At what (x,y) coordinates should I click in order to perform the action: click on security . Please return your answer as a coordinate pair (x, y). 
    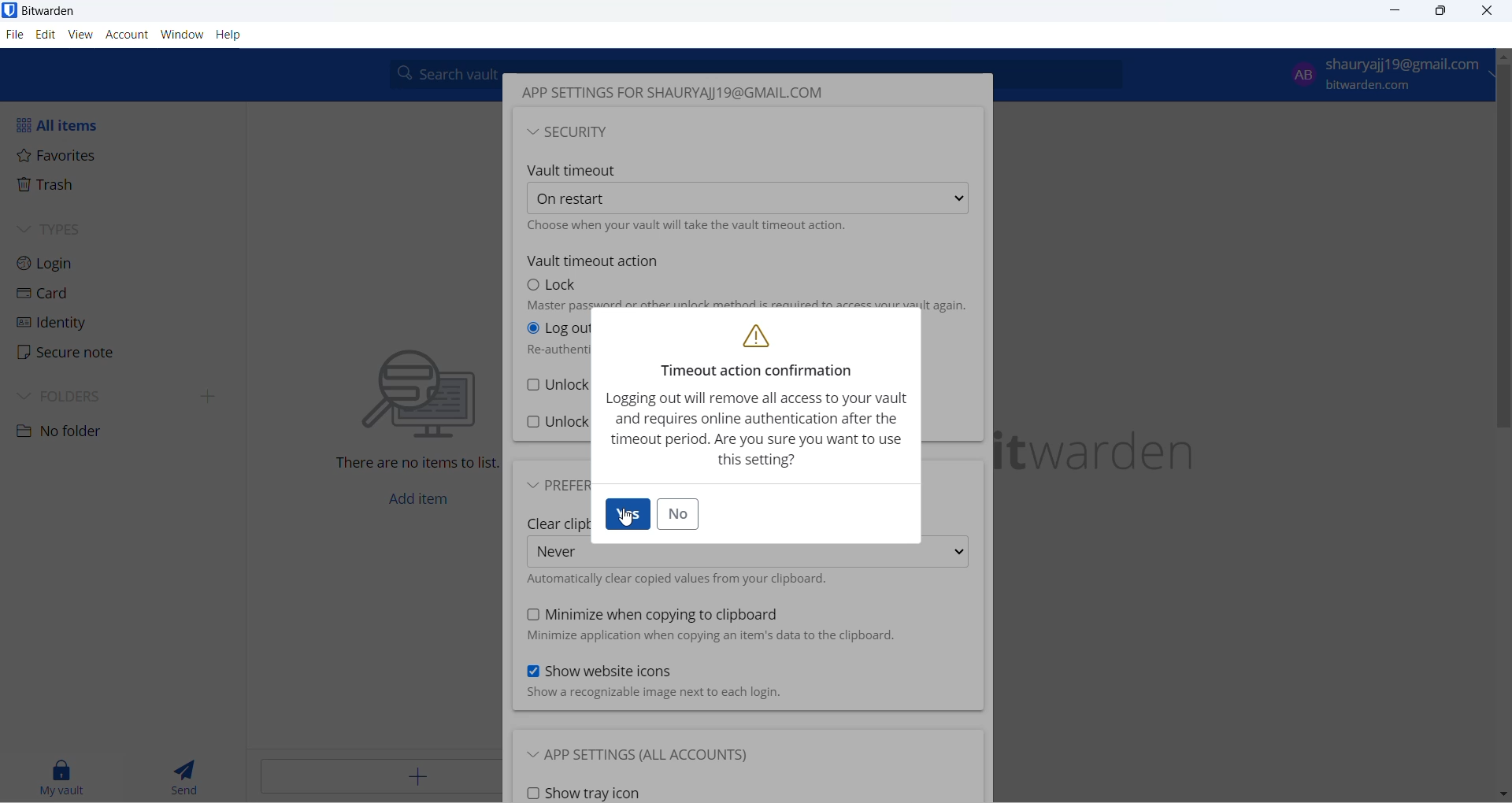
    Looking at the image, I should click on (594, 134).